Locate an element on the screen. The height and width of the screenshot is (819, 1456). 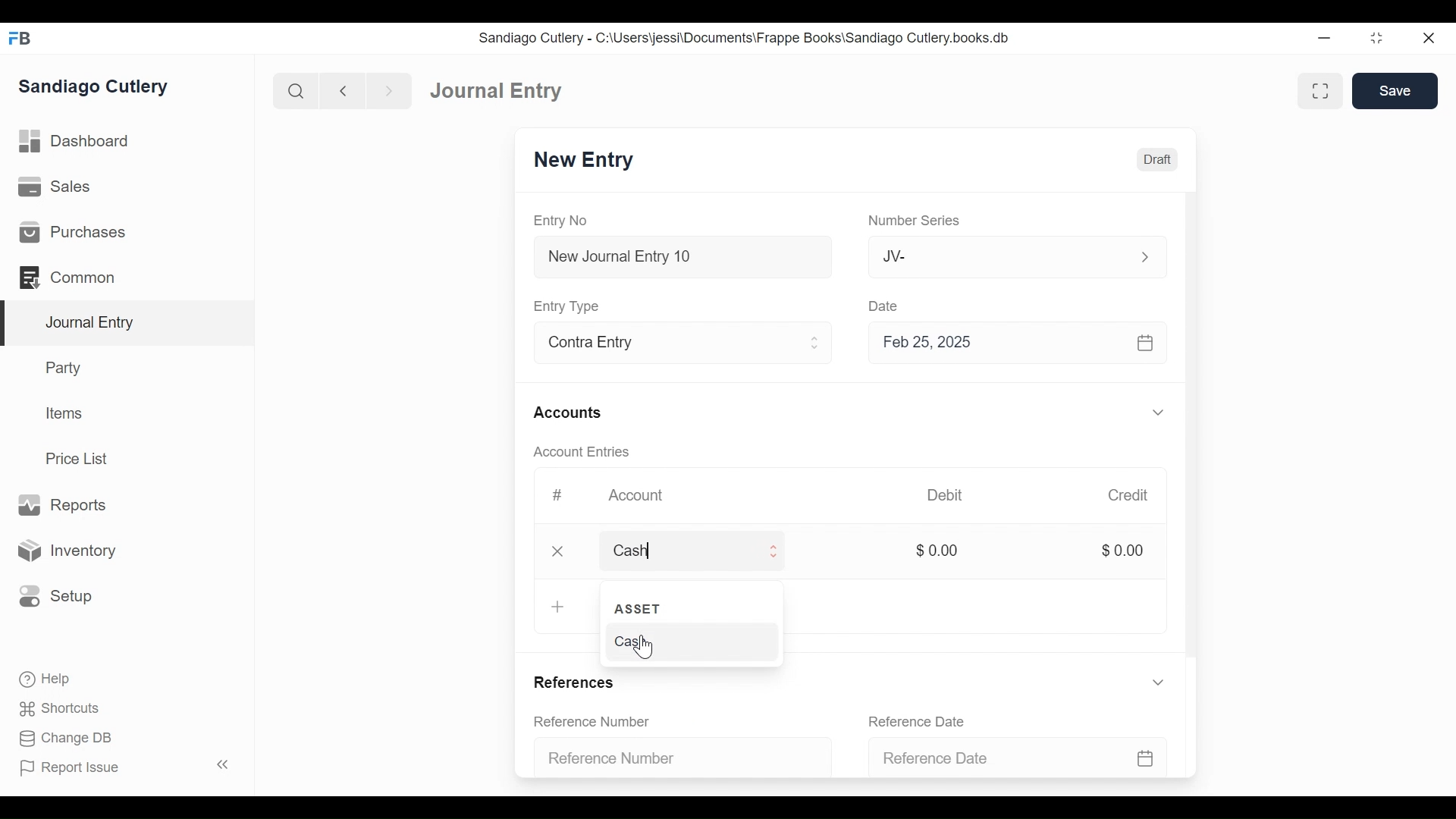
JV- is located at coordinates (998, 256).